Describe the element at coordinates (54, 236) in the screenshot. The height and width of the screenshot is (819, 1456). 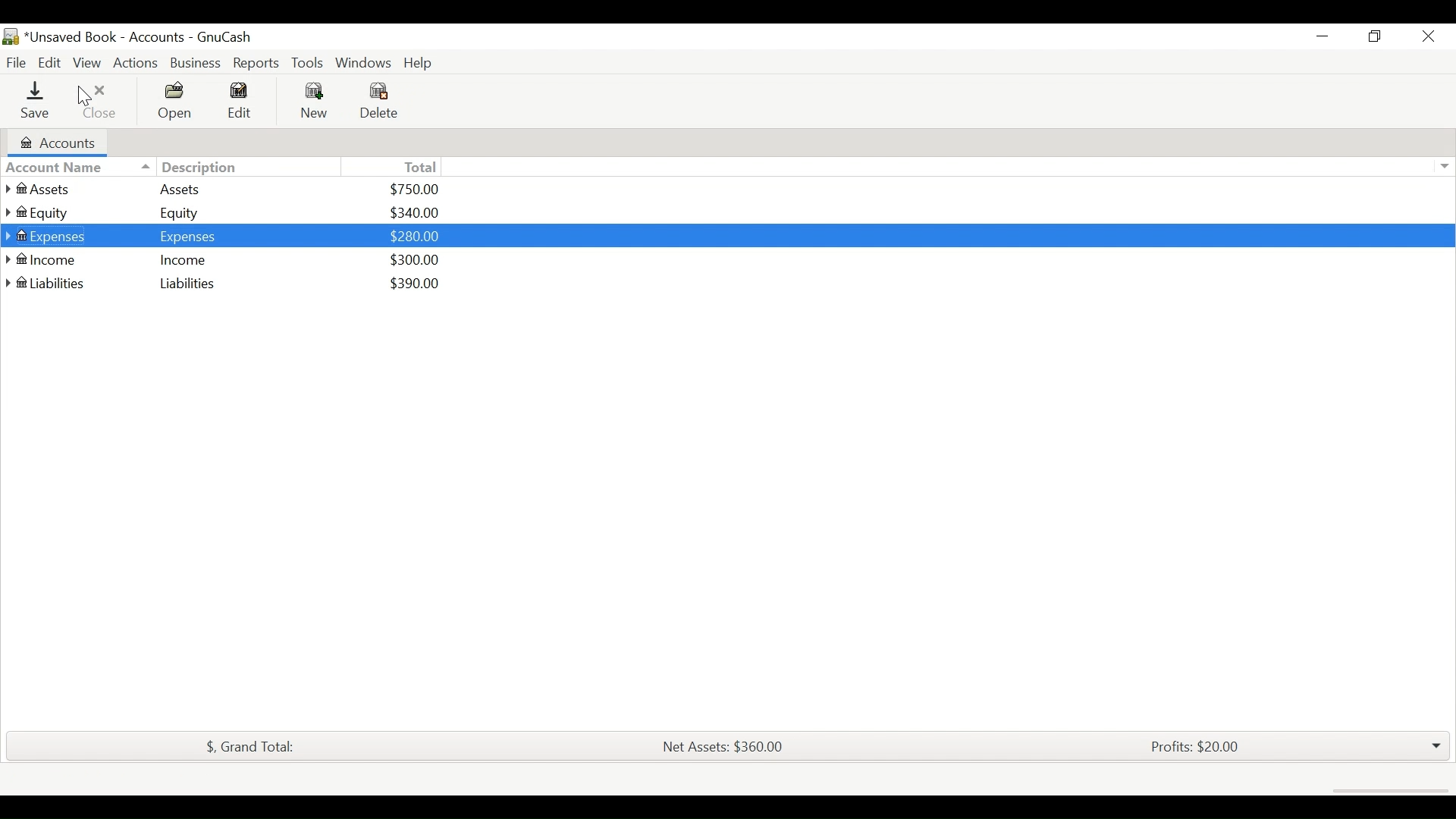
I see `Expenses` at that location.